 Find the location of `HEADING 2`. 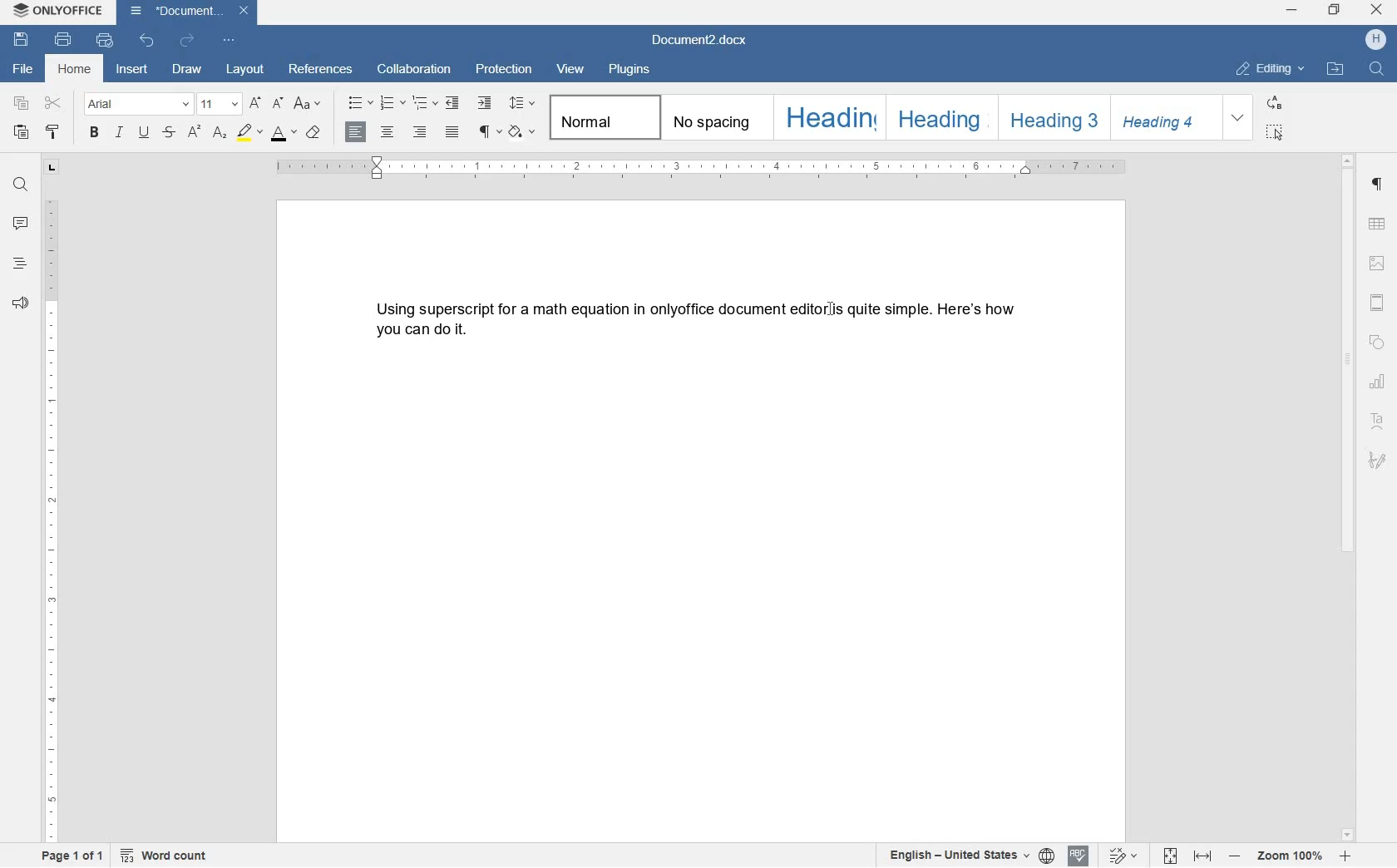

HEADING 2 is located at coordinates (937, 116).